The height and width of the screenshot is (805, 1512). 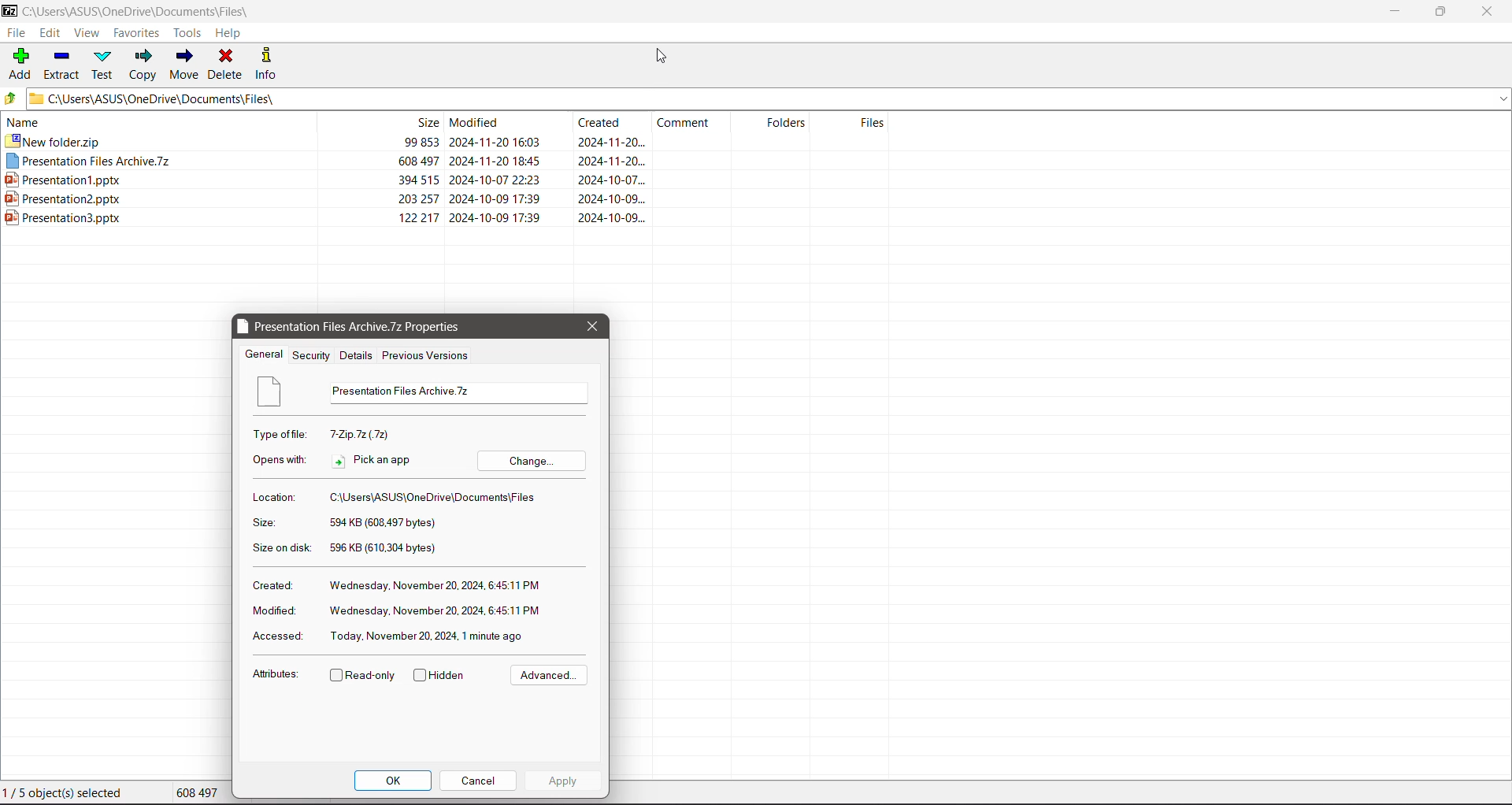 I want to click on Tools, so click(x=189, y=32).